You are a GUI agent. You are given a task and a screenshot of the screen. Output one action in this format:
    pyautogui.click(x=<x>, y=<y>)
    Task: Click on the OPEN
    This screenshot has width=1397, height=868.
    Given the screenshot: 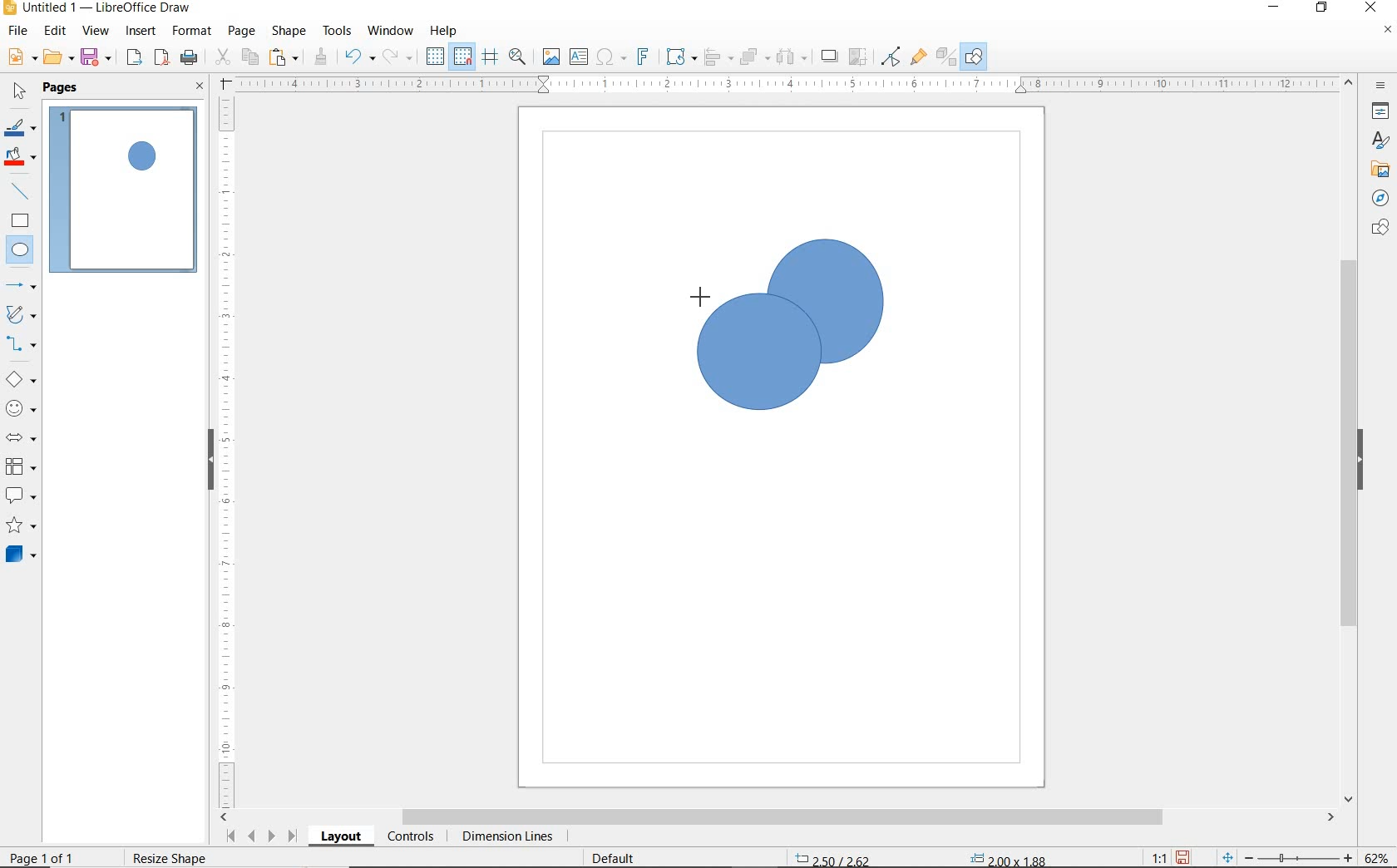 What is the action you would take?
    pyautogui.click(x=58, y=59)
    